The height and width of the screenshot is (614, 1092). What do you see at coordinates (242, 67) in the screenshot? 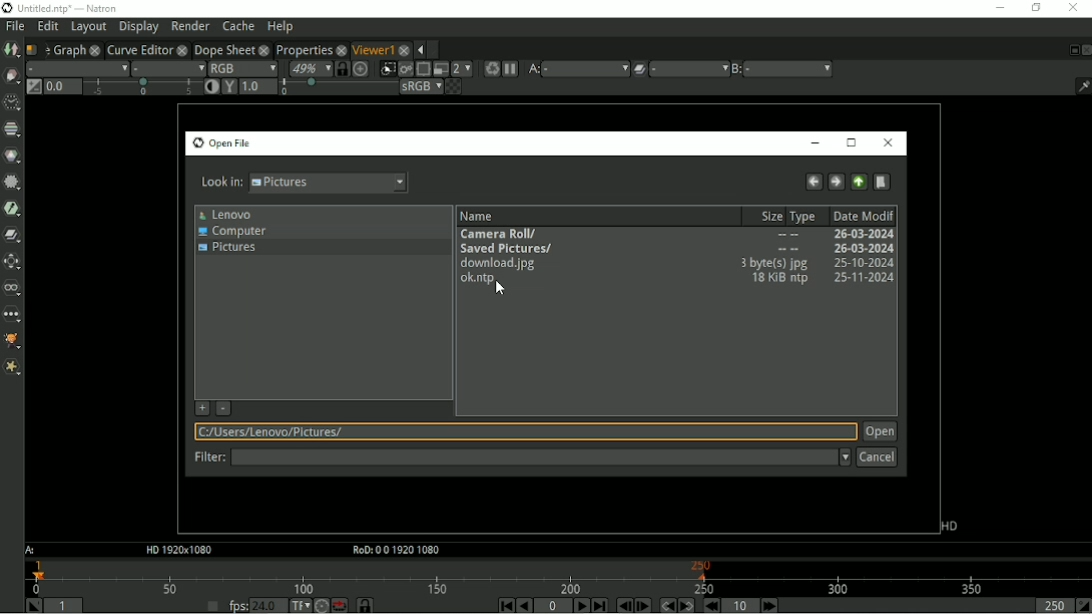
I see `Display Channels` at bounding box center [242, 67].